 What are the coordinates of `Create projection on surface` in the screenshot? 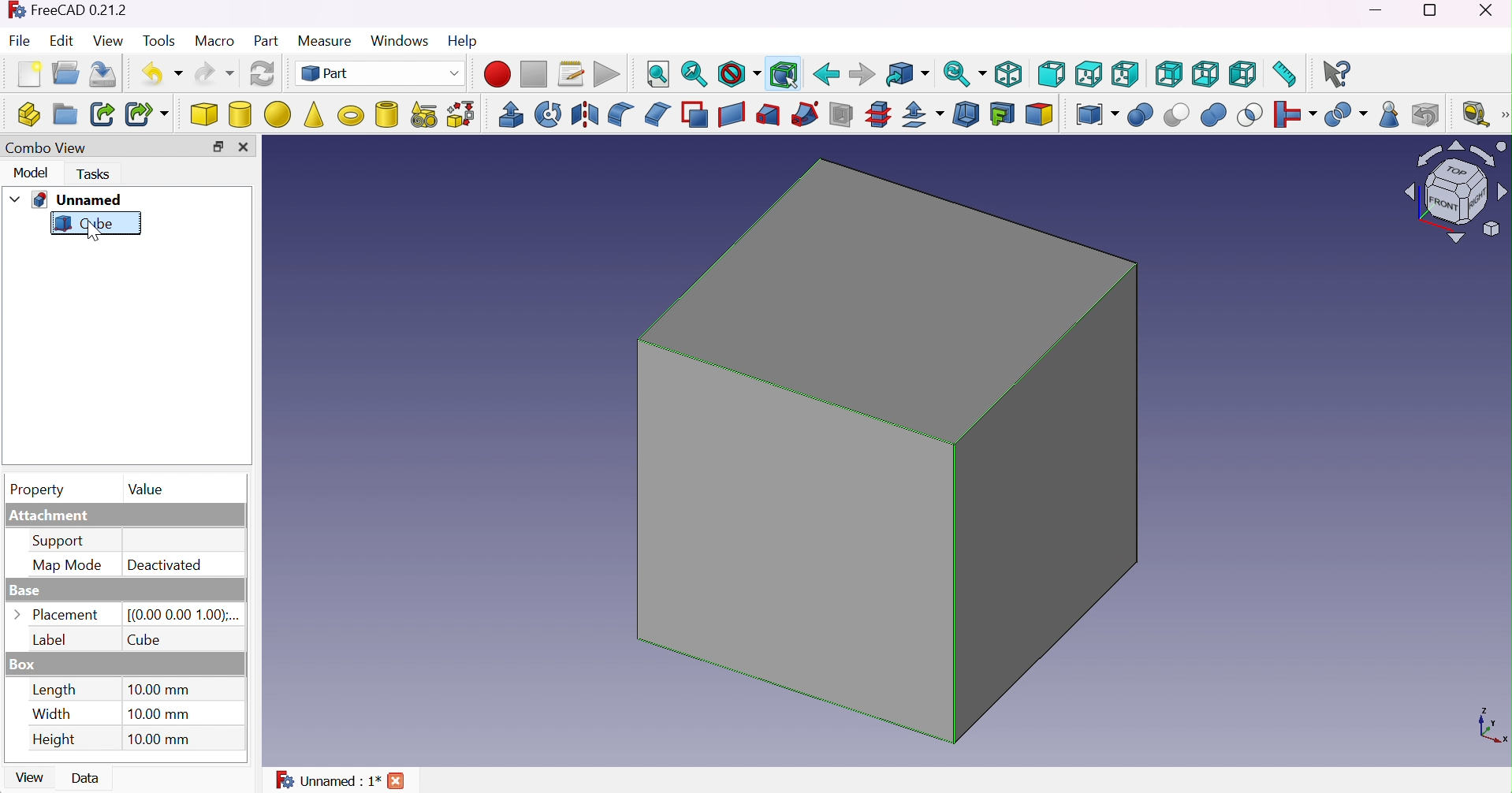 It's located at (1001, 114).